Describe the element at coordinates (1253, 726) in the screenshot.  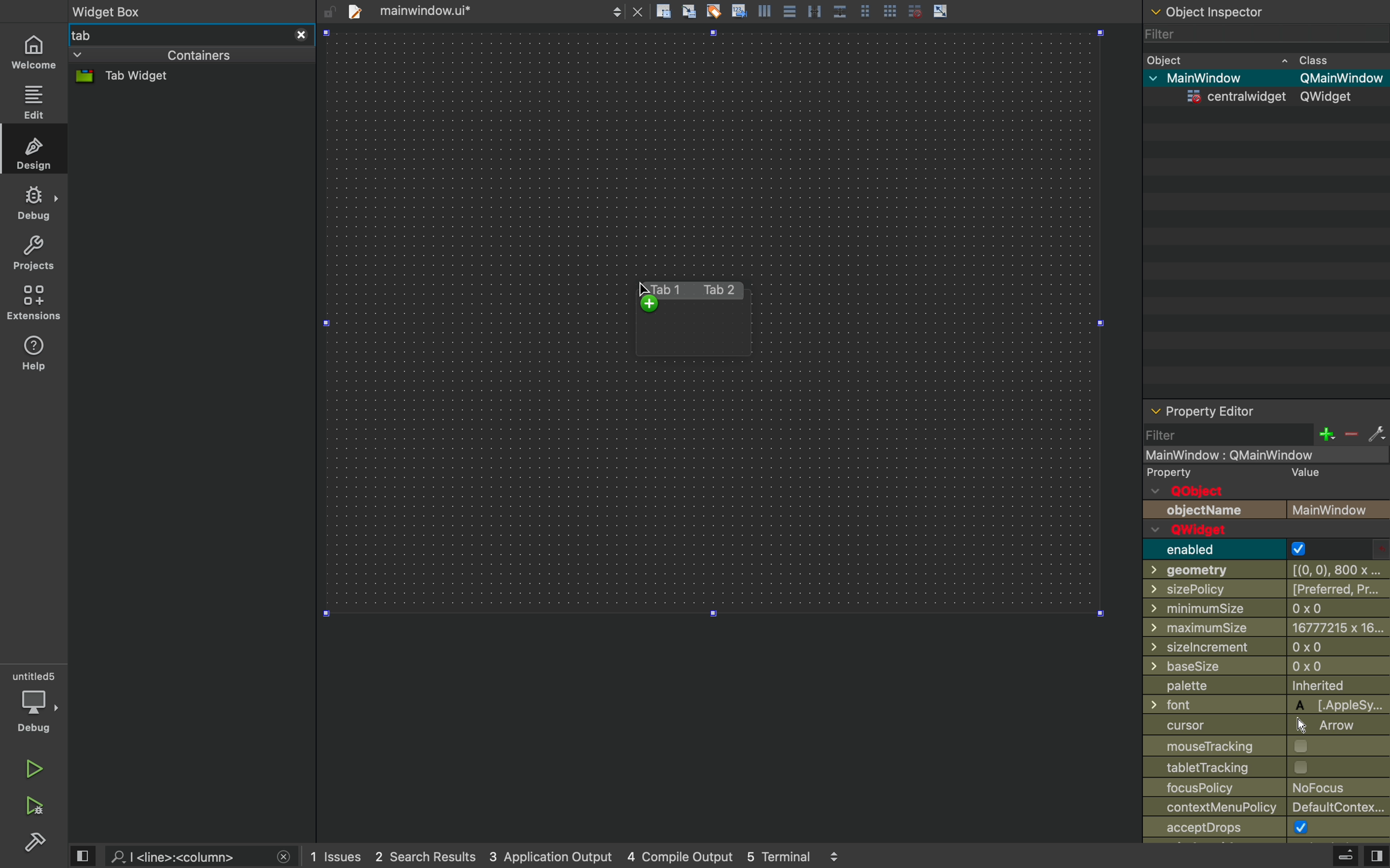
I see `cursor` at that location.